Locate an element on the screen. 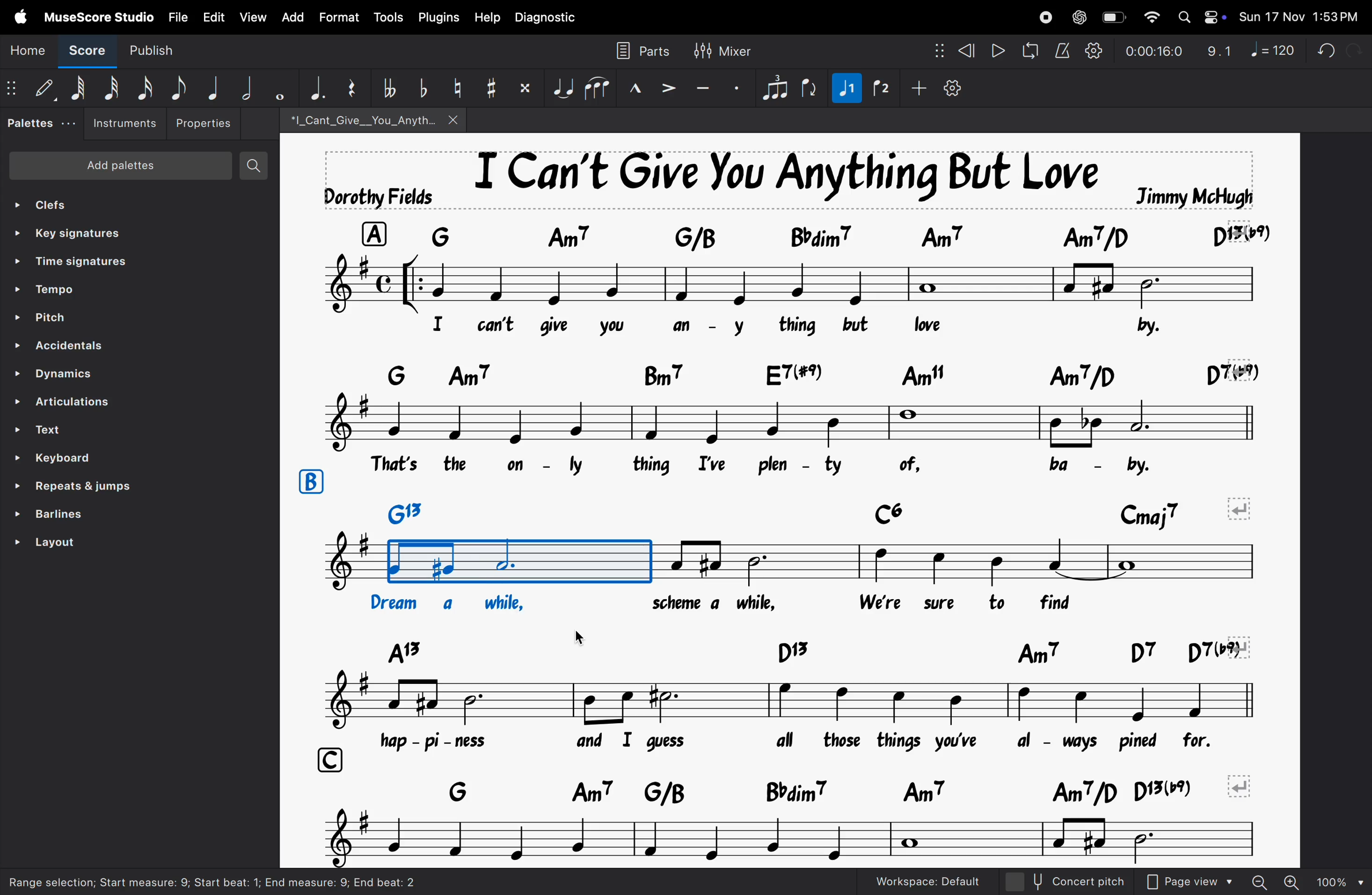 This screenshot has height=895, width=1372. row is located at coordinates (331, 758).